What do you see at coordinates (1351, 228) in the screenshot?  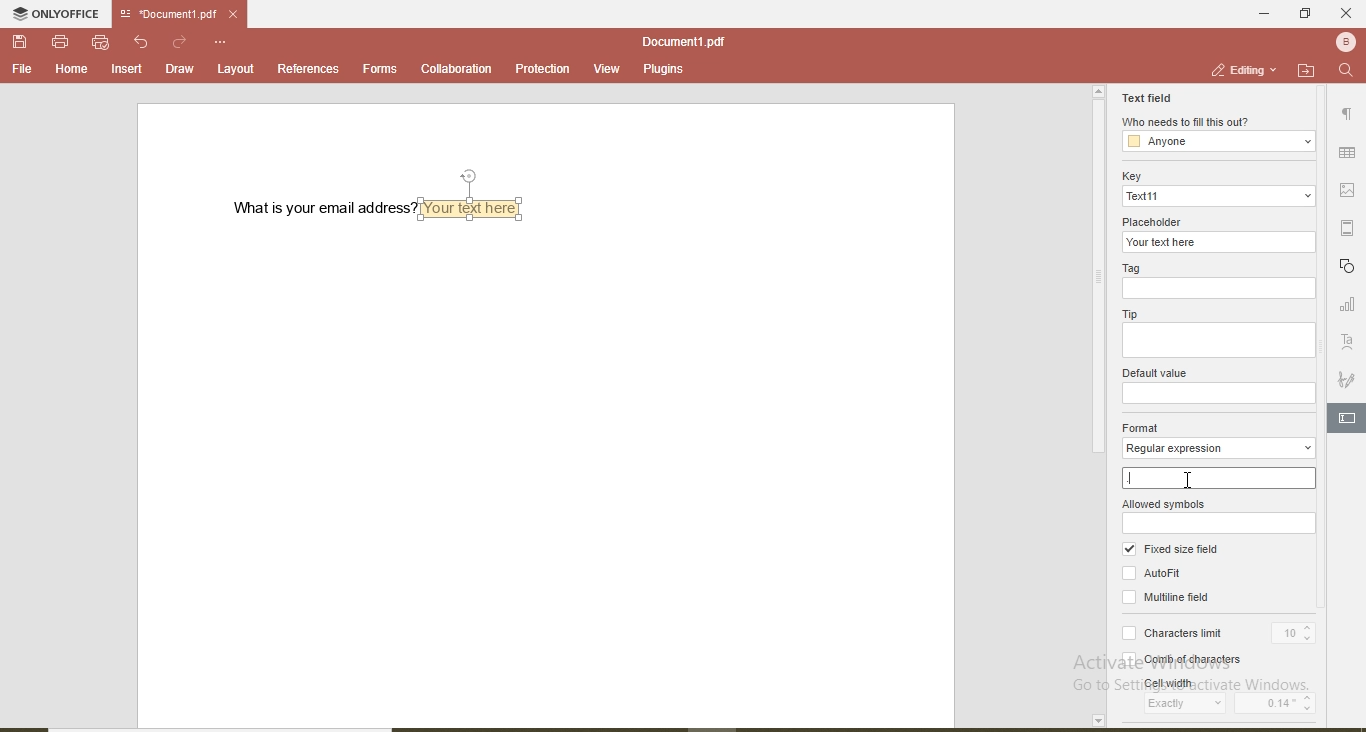 I see `margin` at bounding box center [1351, 228].